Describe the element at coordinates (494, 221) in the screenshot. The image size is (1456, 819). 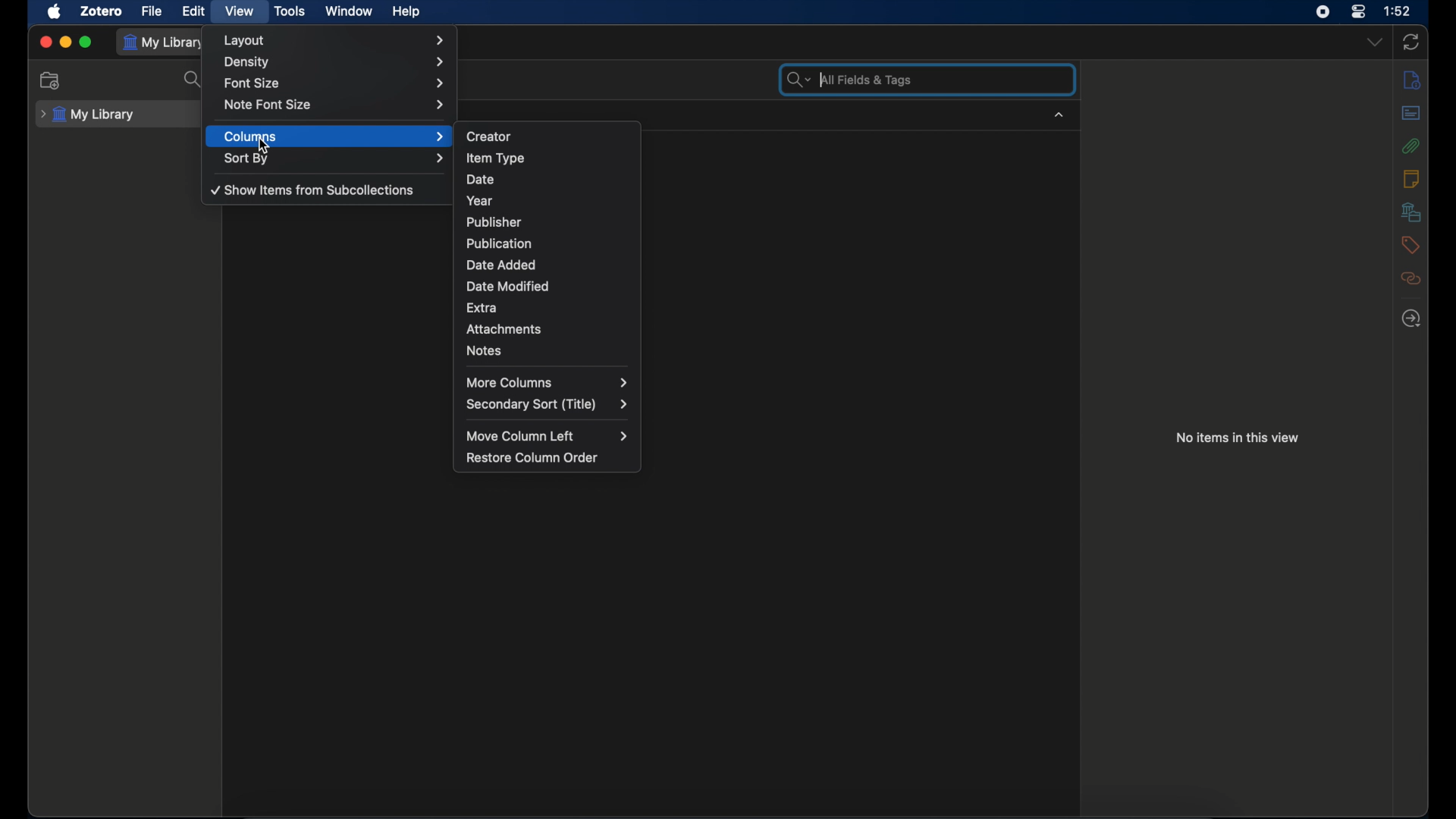
I see `publisher` at that location.